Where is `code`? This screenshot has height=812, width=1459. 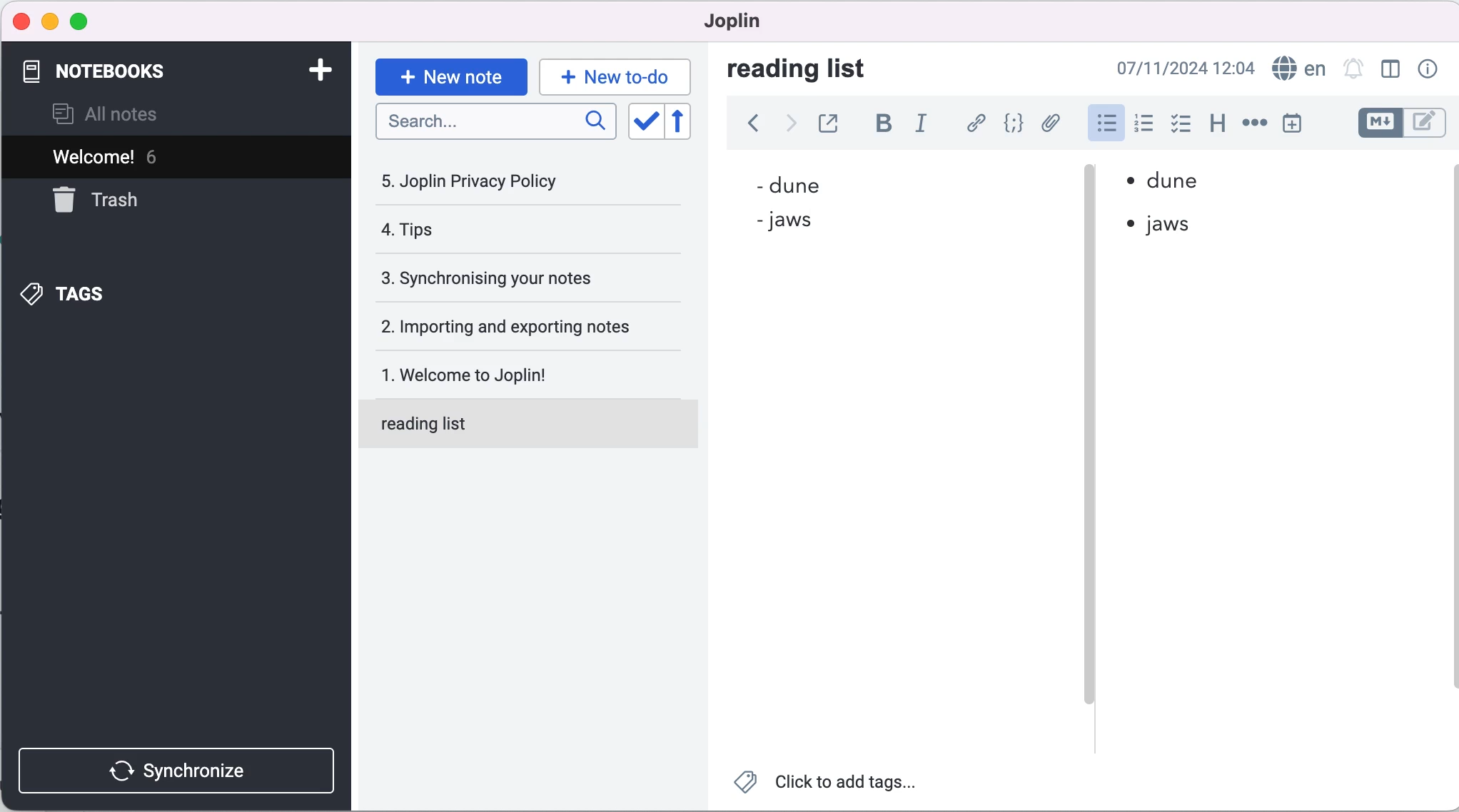
code is located at coordinates (1014, 124).